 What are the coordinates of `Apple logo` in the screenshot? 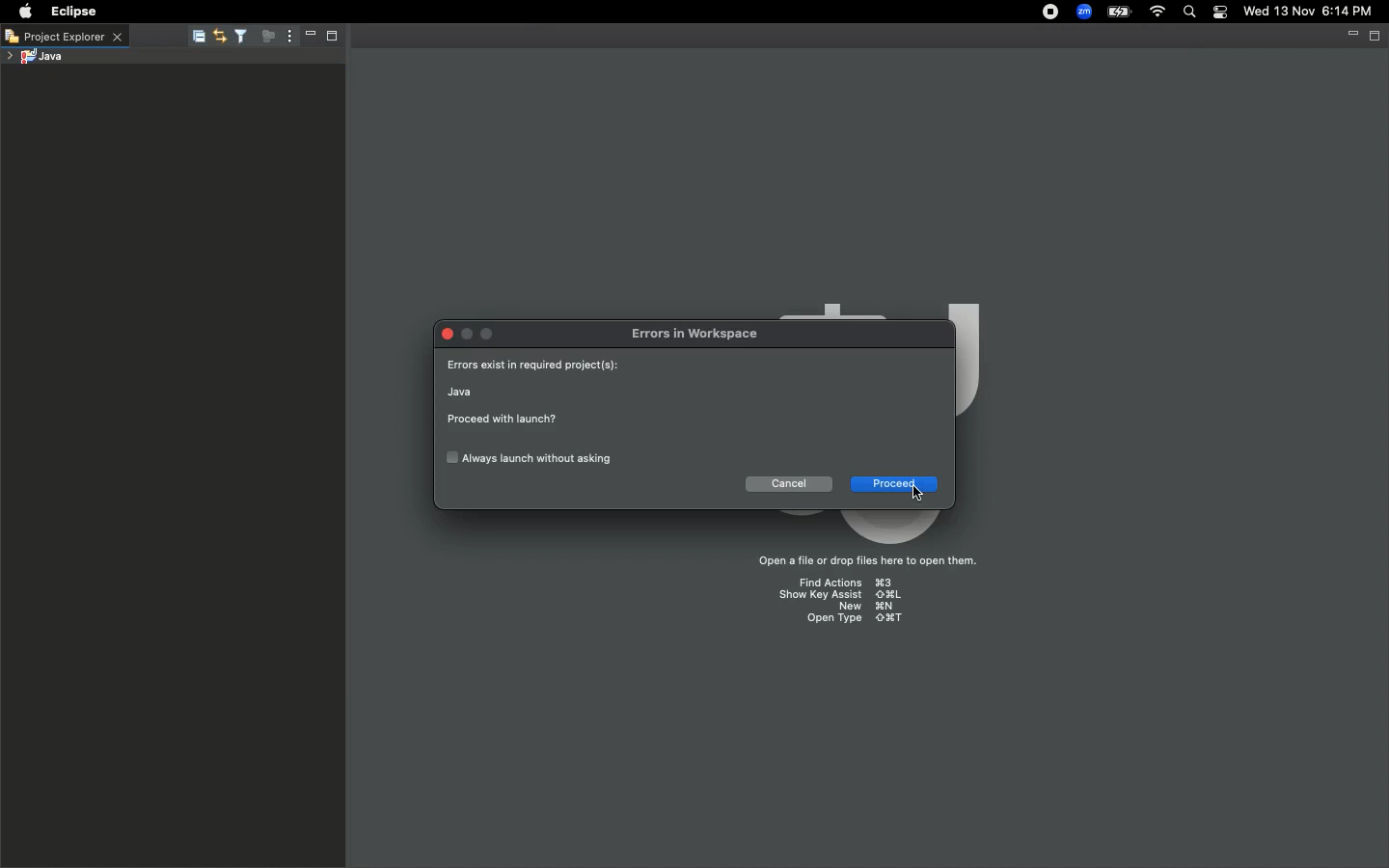 It's located at (23, 12).